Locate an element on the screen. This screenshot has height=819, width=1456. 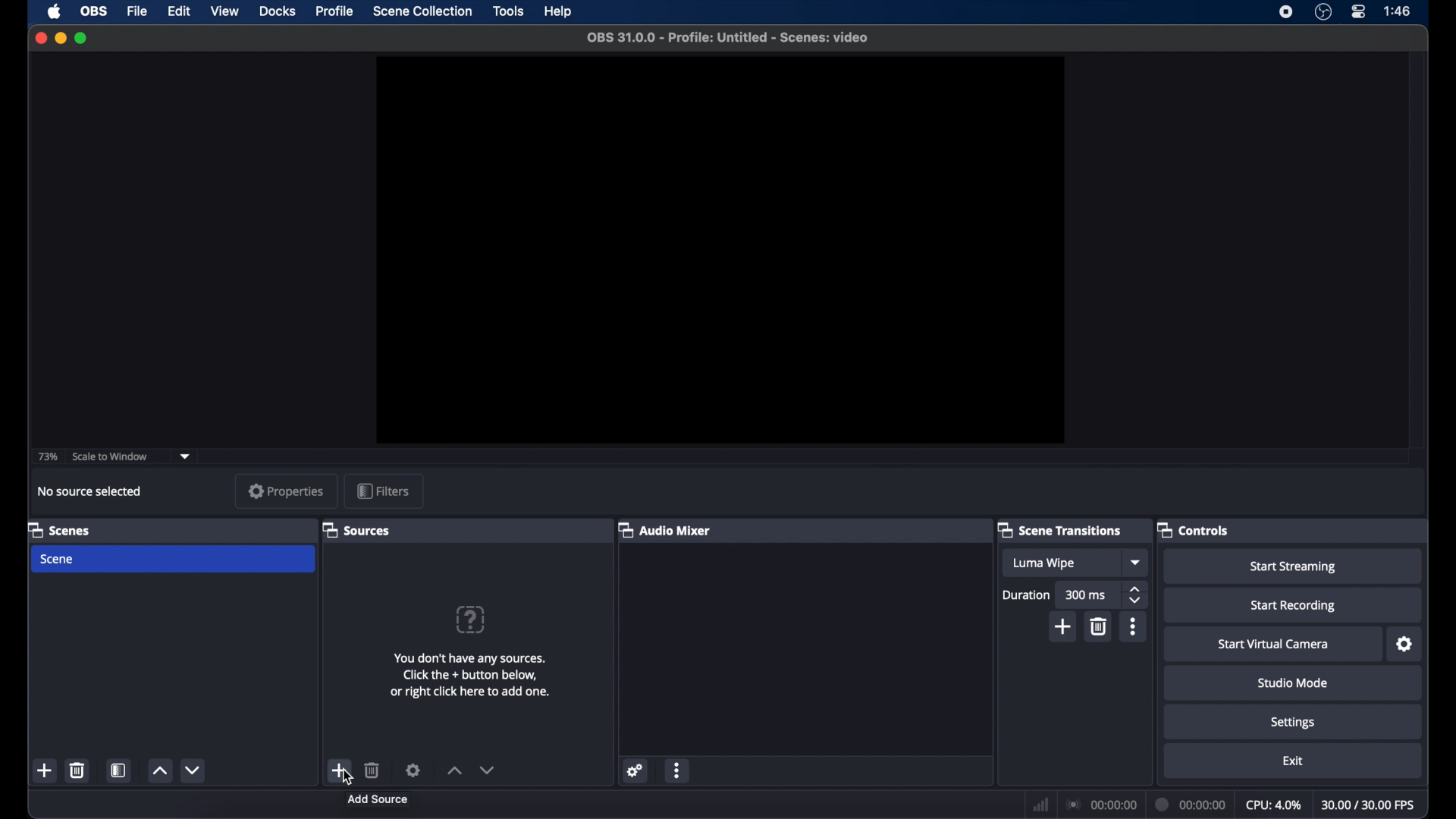
add is located at coordinates (1063, 626).